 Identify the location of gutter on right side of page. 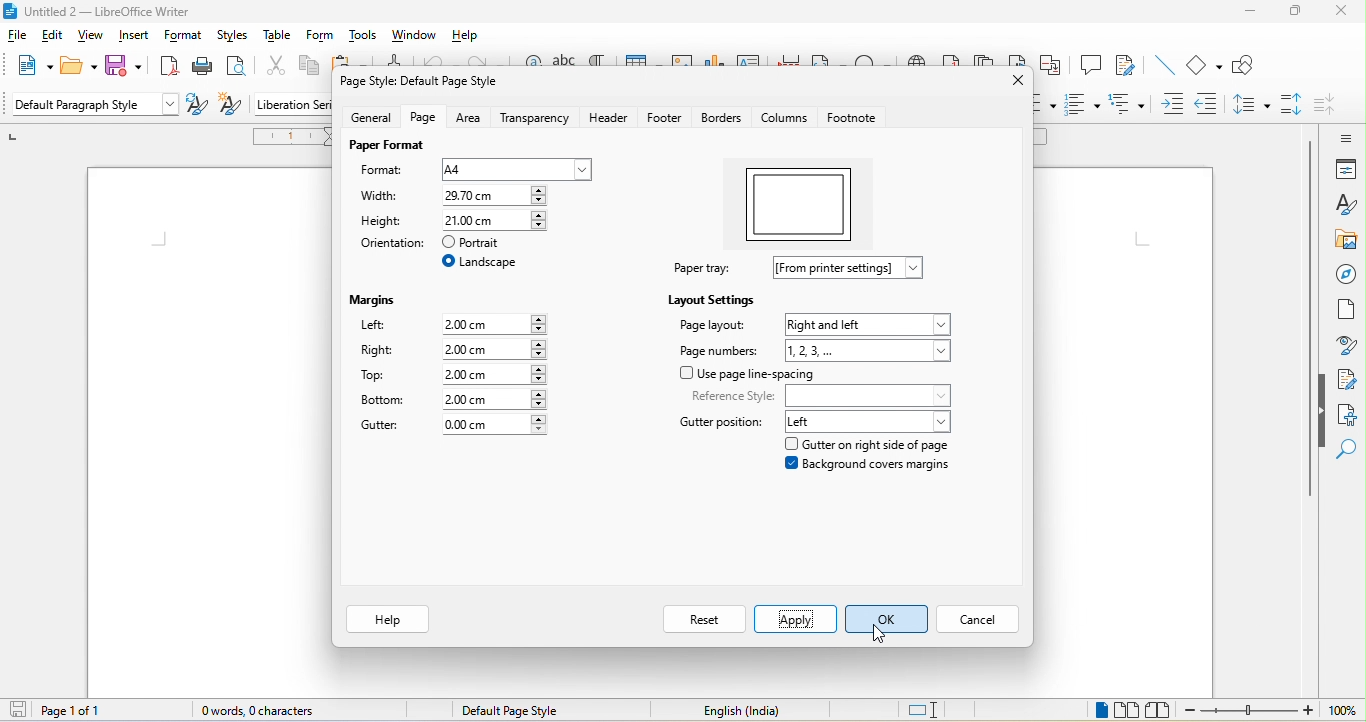
(884, 444).